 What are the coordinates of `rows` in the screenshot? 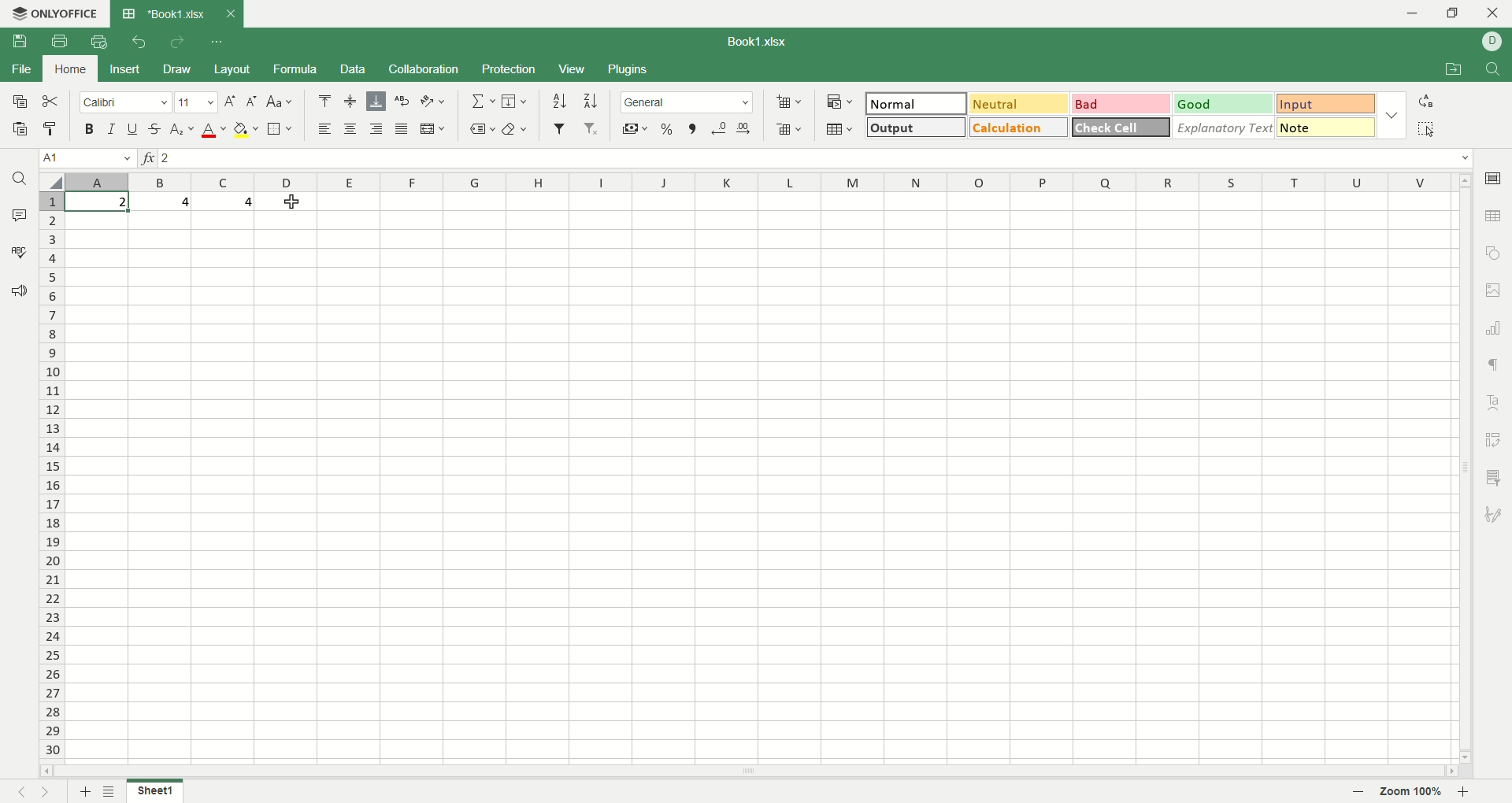 It's located at (50, 479).